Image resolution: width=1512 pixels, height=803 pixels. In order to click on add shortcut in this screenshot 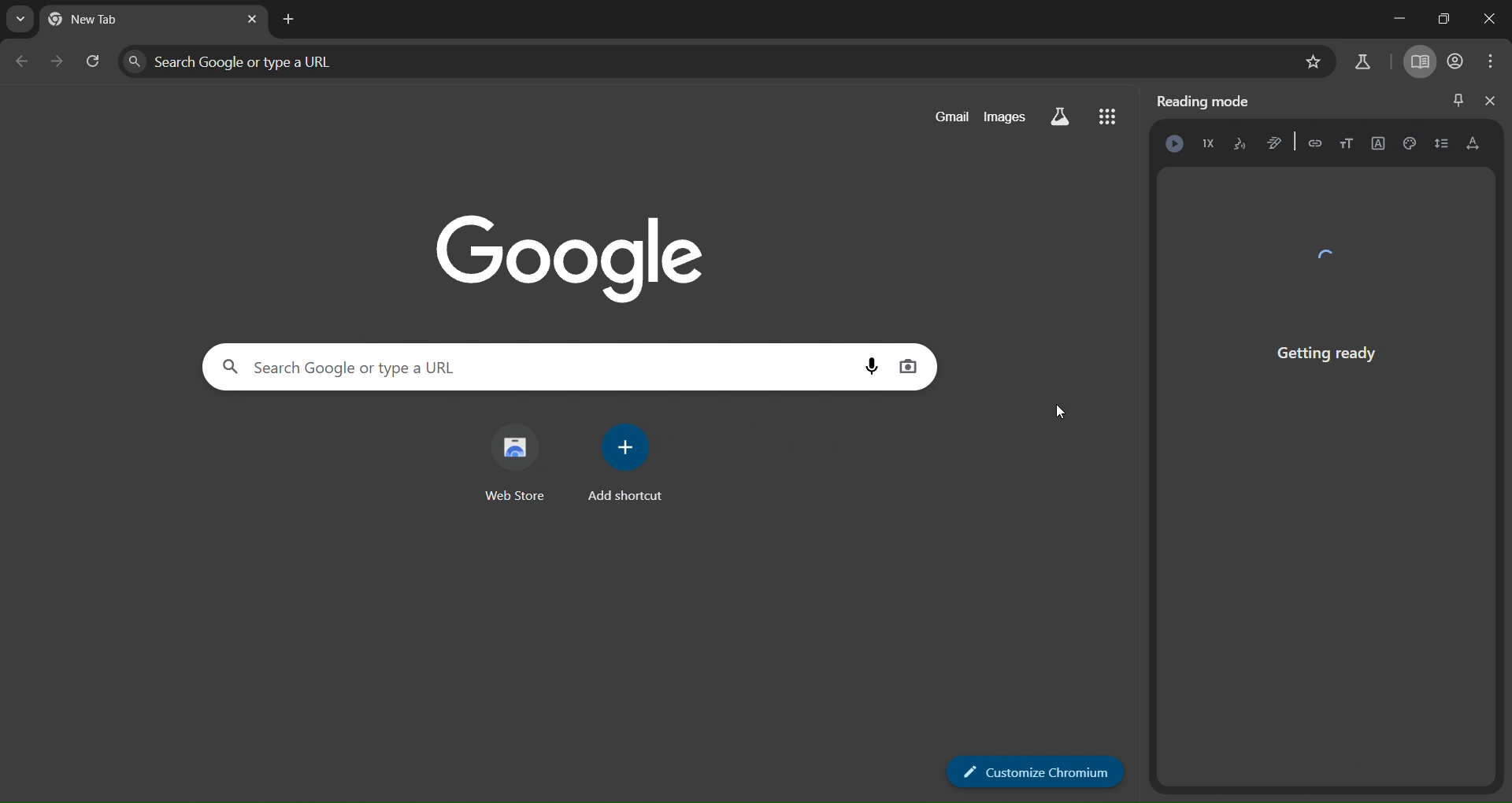, I will do `click(621, 464)`.